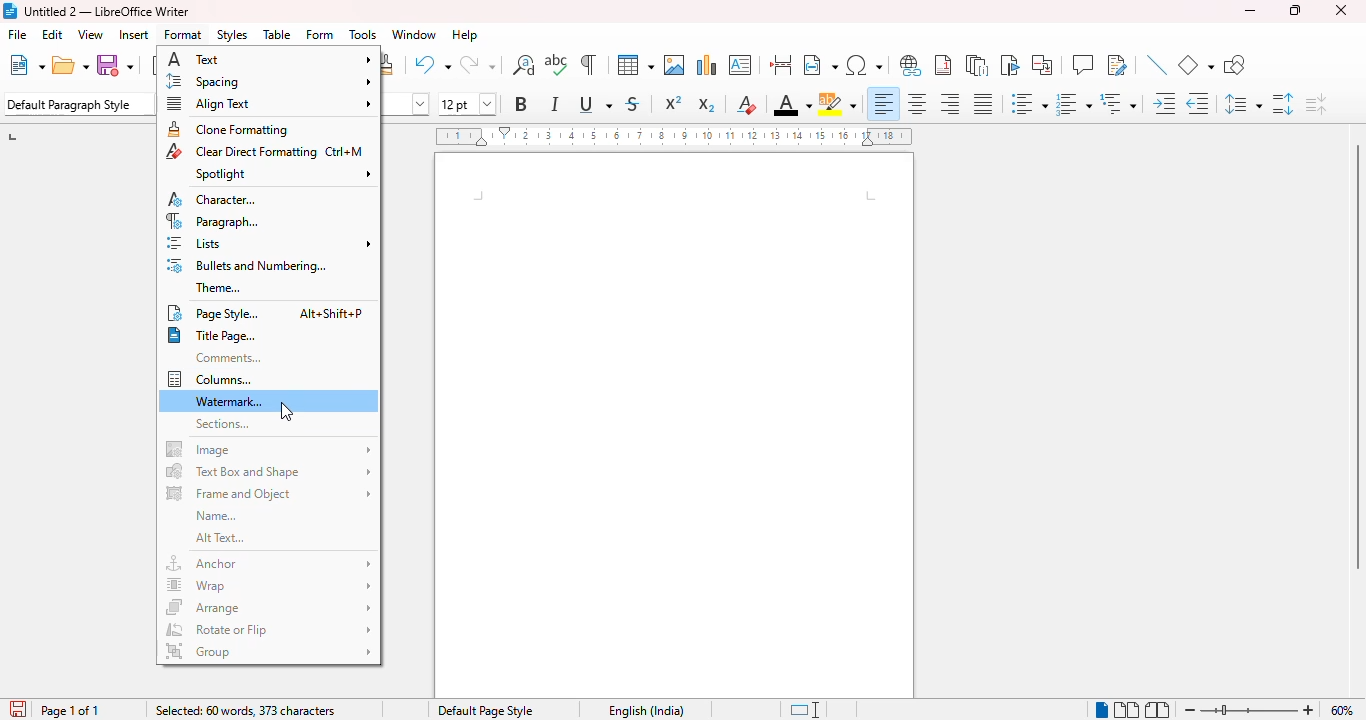 The image size is (1366, 720). I want to click on set line spacing, so click(1241, 104).